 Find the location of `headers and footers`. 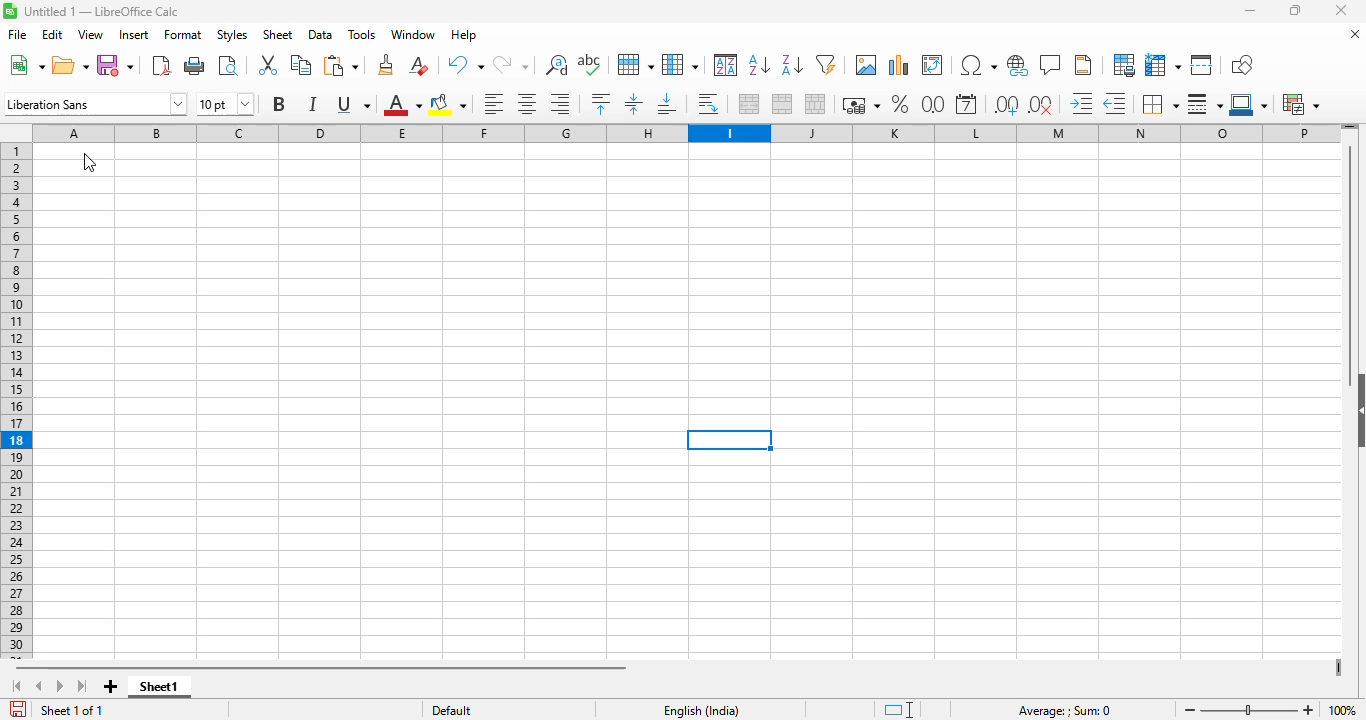

headers and footers is located at coordinates (1084, 65).